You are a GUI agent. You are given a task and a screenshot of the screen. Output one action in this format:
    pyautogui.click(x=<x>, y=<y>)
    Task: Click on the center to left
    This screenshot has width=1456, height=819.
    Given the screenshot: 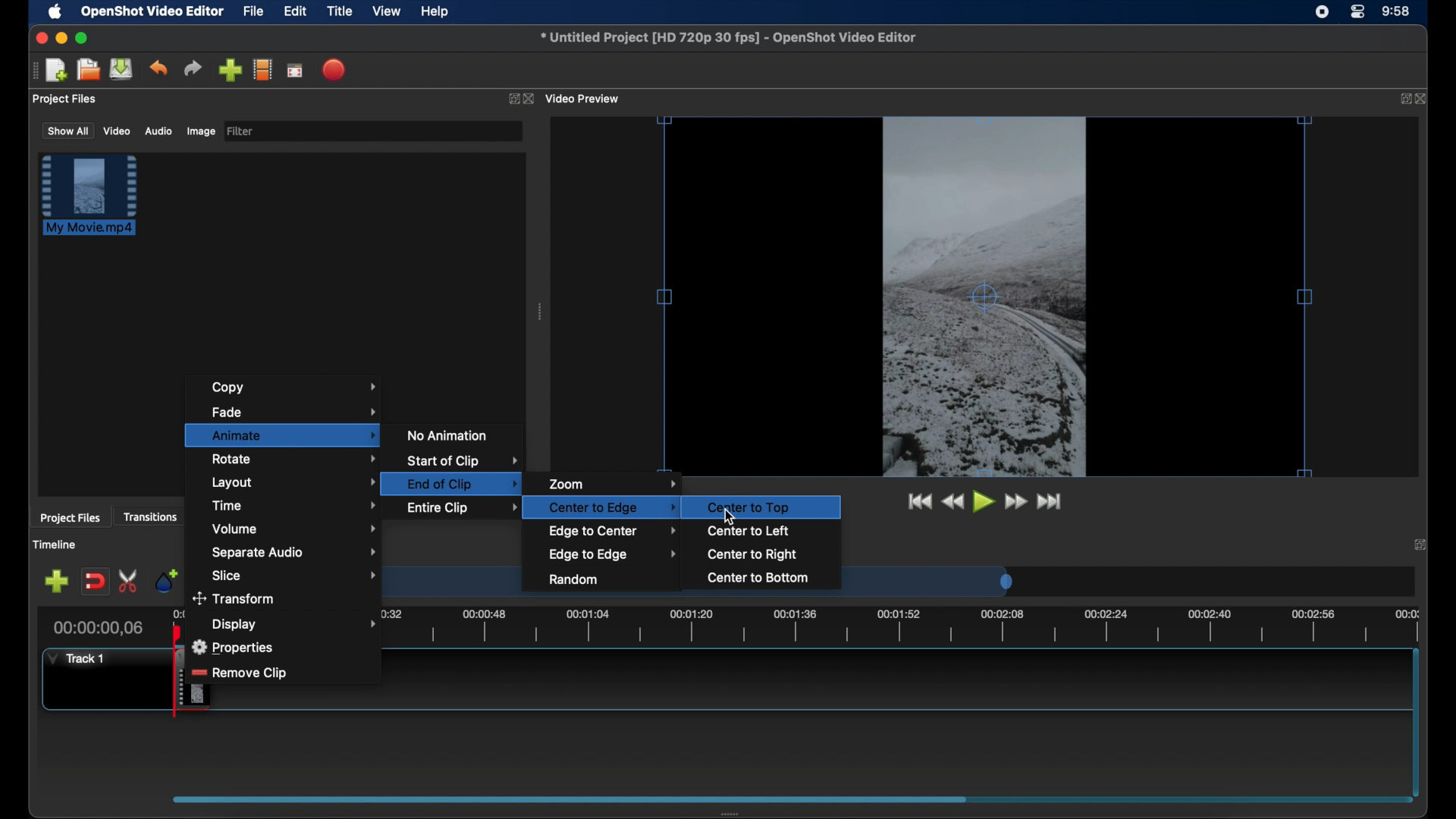 What is the action you would take?
    pyautogui.click(x=746, y=531)
    